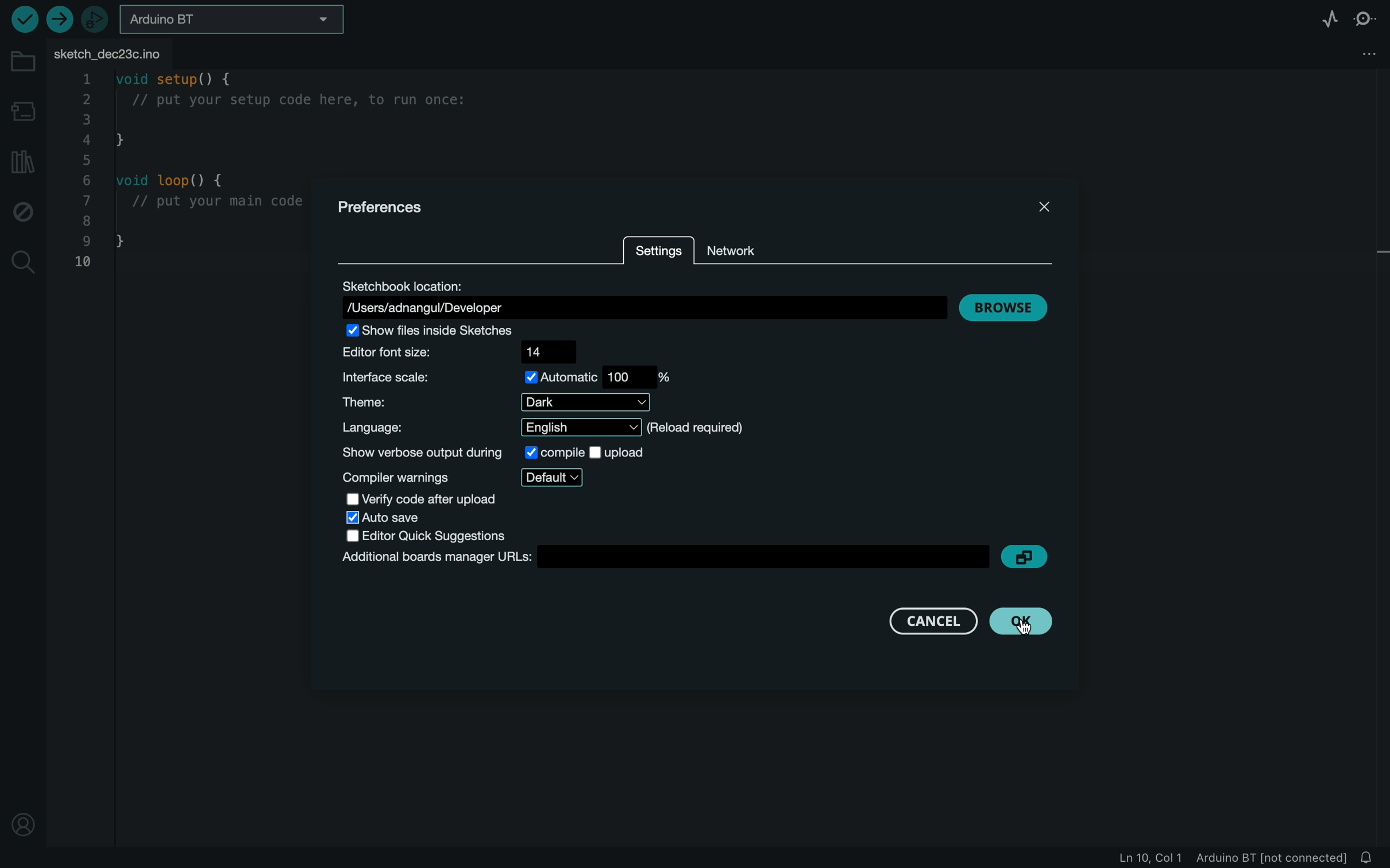  I want to click on board manger, so click(662, 559).